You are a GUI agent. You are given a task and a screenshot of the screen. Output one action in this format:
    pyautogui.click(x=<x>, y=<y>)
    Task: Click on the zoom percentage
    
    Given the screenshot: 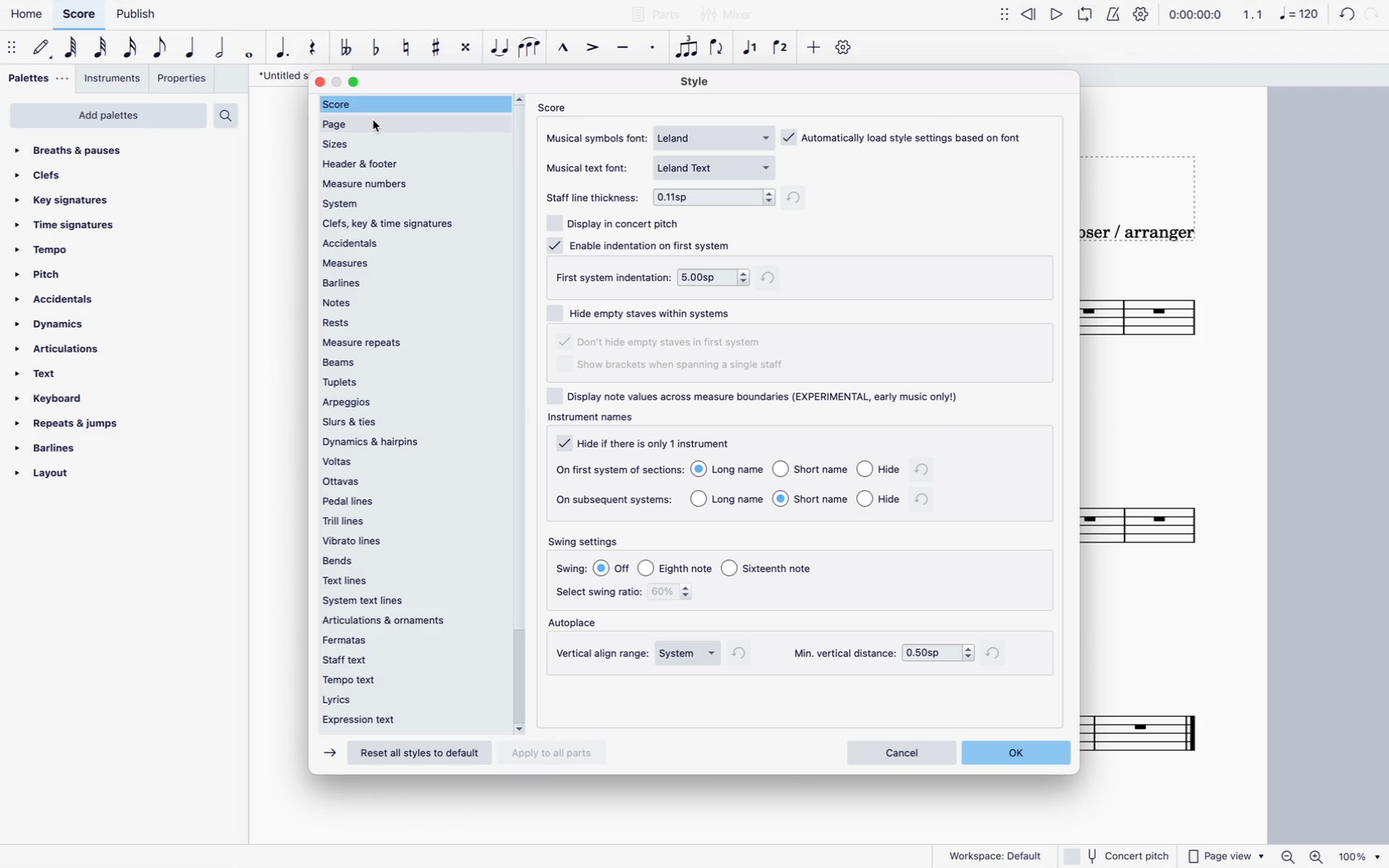 What is the action you would take?
    pyautogui.click(x=1363, y=856)
    